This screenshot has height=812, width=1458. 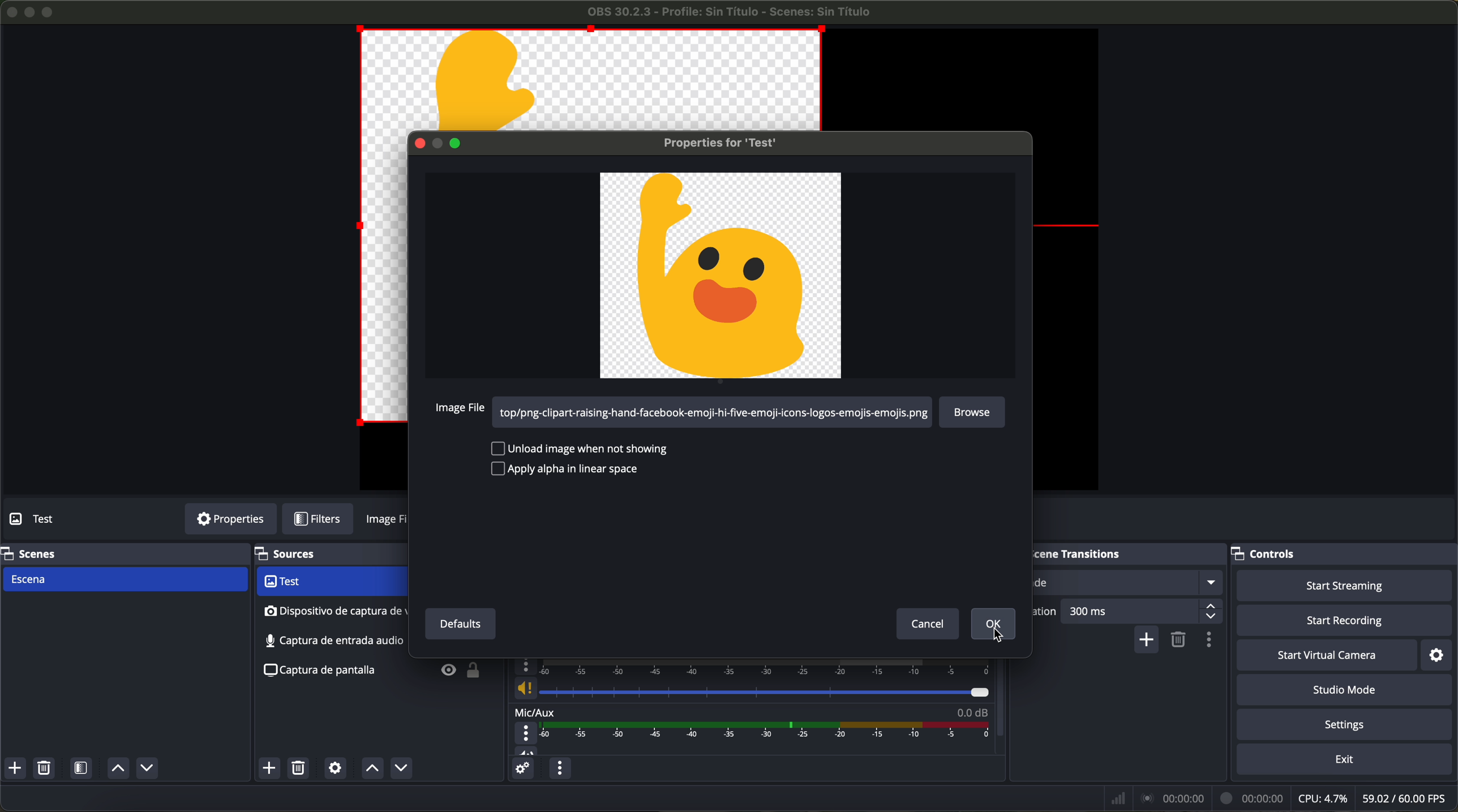 I want to click on image, so click(x=384, y=281).